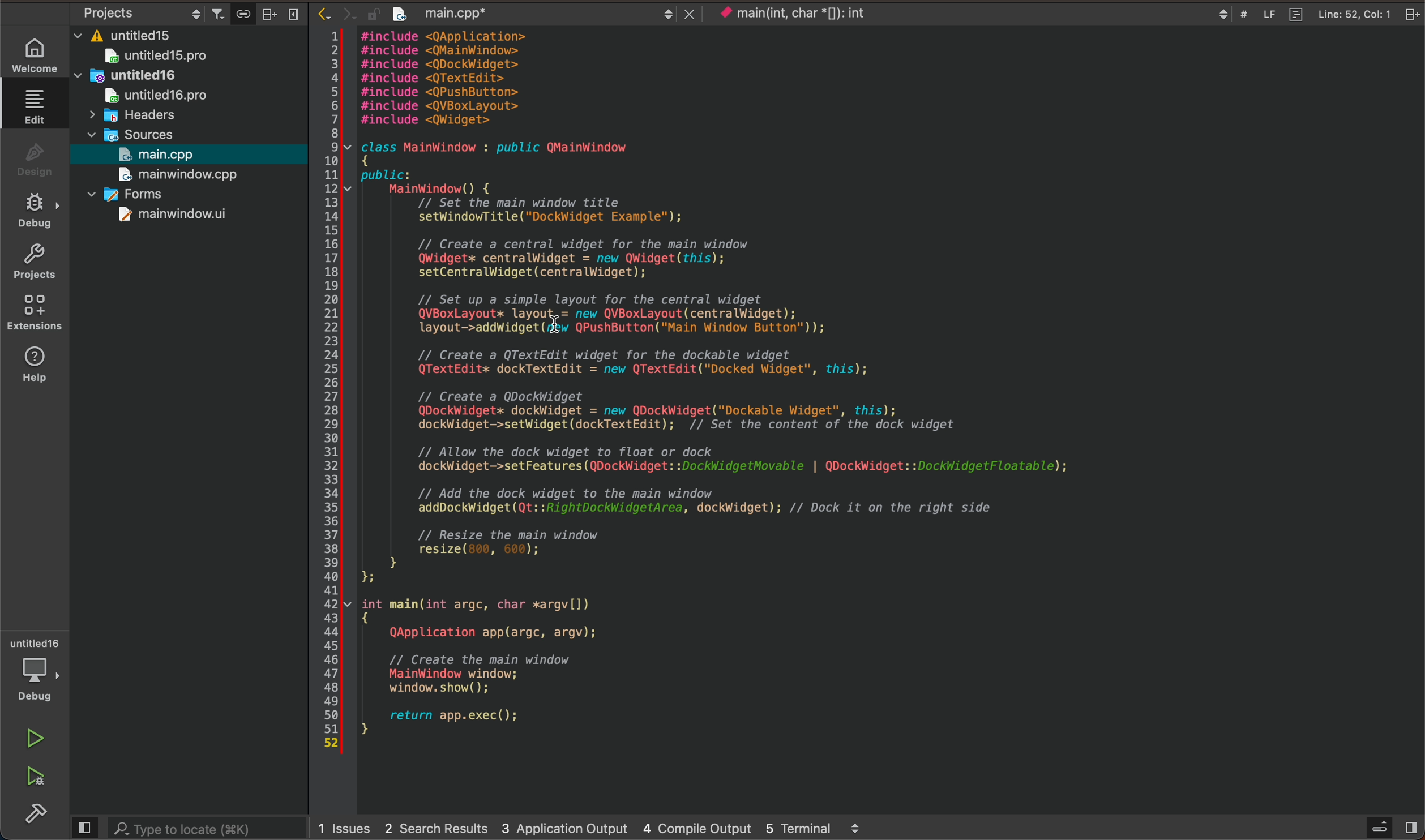 Image resolution: width=1425 pixels, height=840 pixels. What do you see at coordinates (33, 156) in the screenshot?
I see `design` at bounding box center [33, 156].